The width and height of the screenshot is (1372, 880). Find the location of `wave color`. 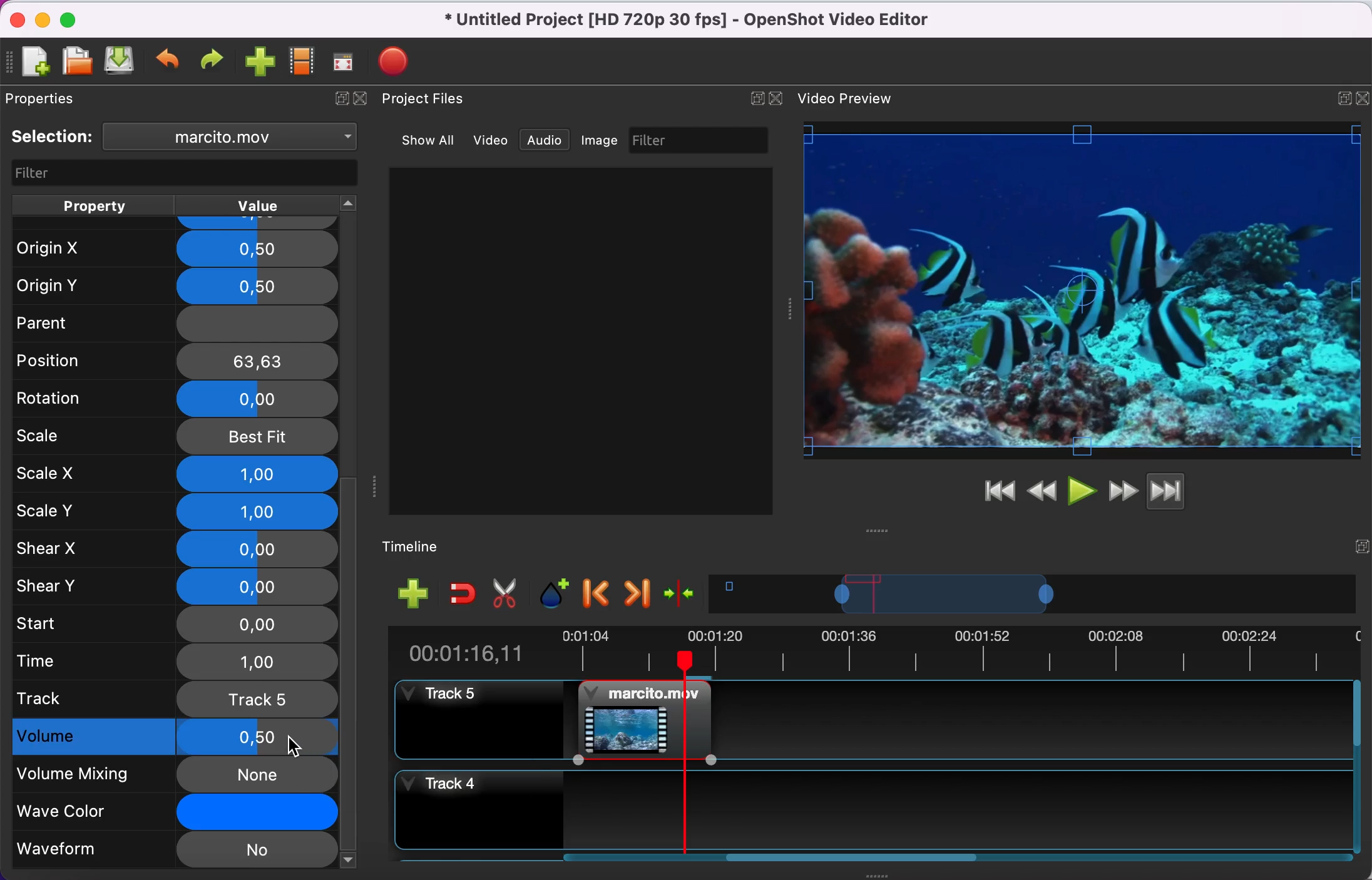

wave color is located at coordinates (171, 812).